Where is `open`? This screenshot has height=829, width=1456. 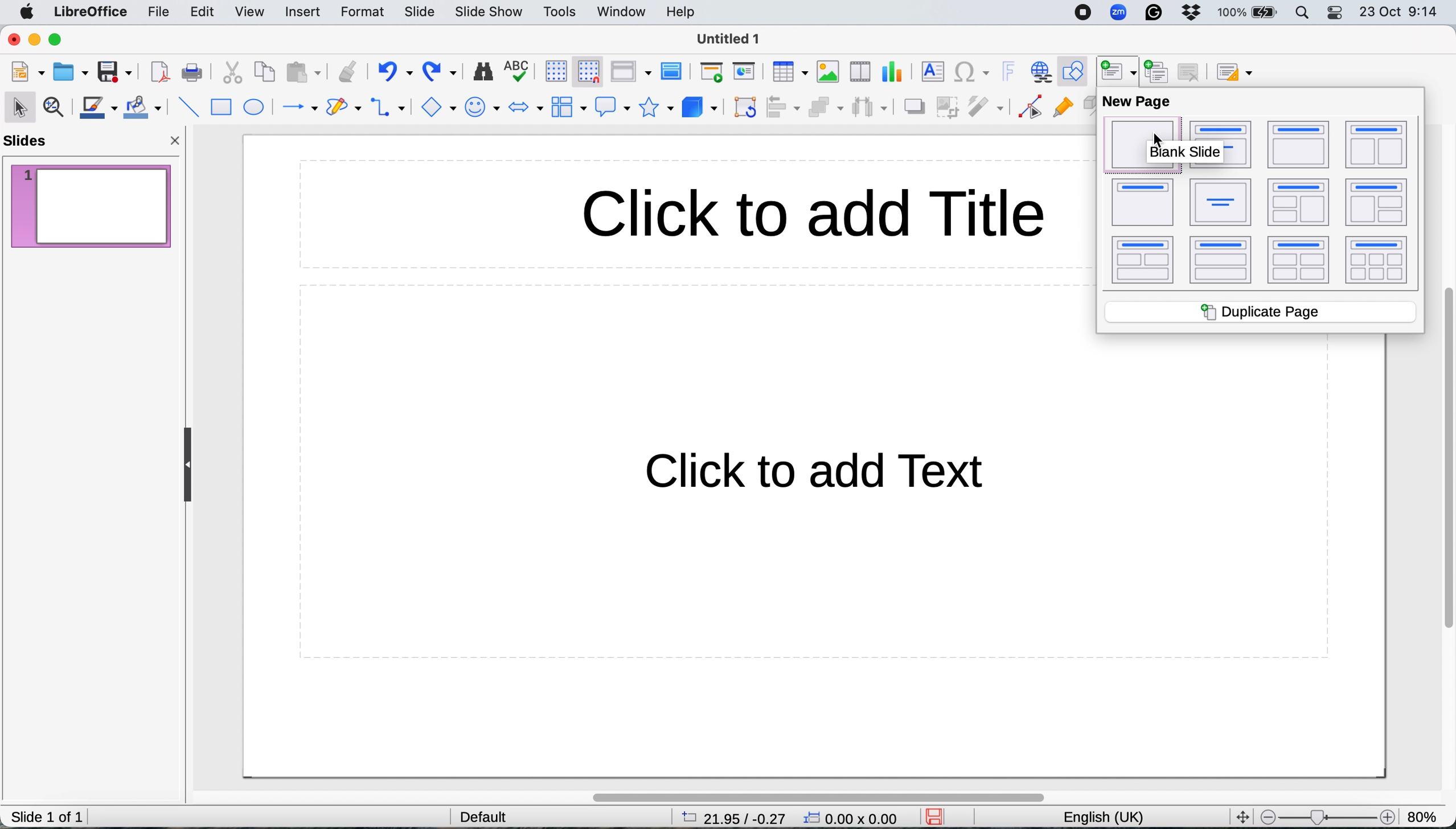
open is located at coordinates (71, 73).